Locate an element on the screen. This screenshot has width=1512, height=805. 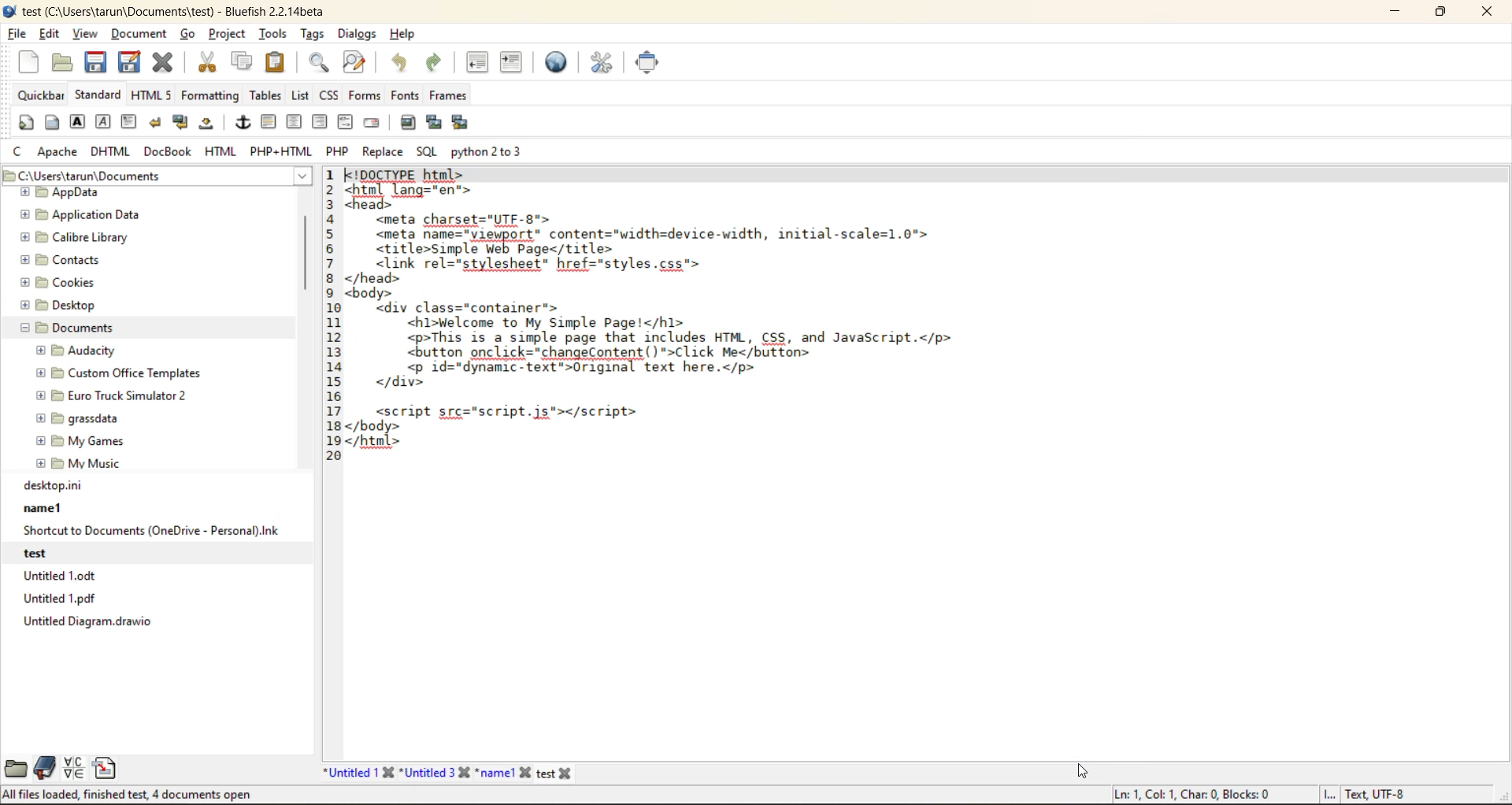
insert thumbnail is located at coordinates (435, 124).